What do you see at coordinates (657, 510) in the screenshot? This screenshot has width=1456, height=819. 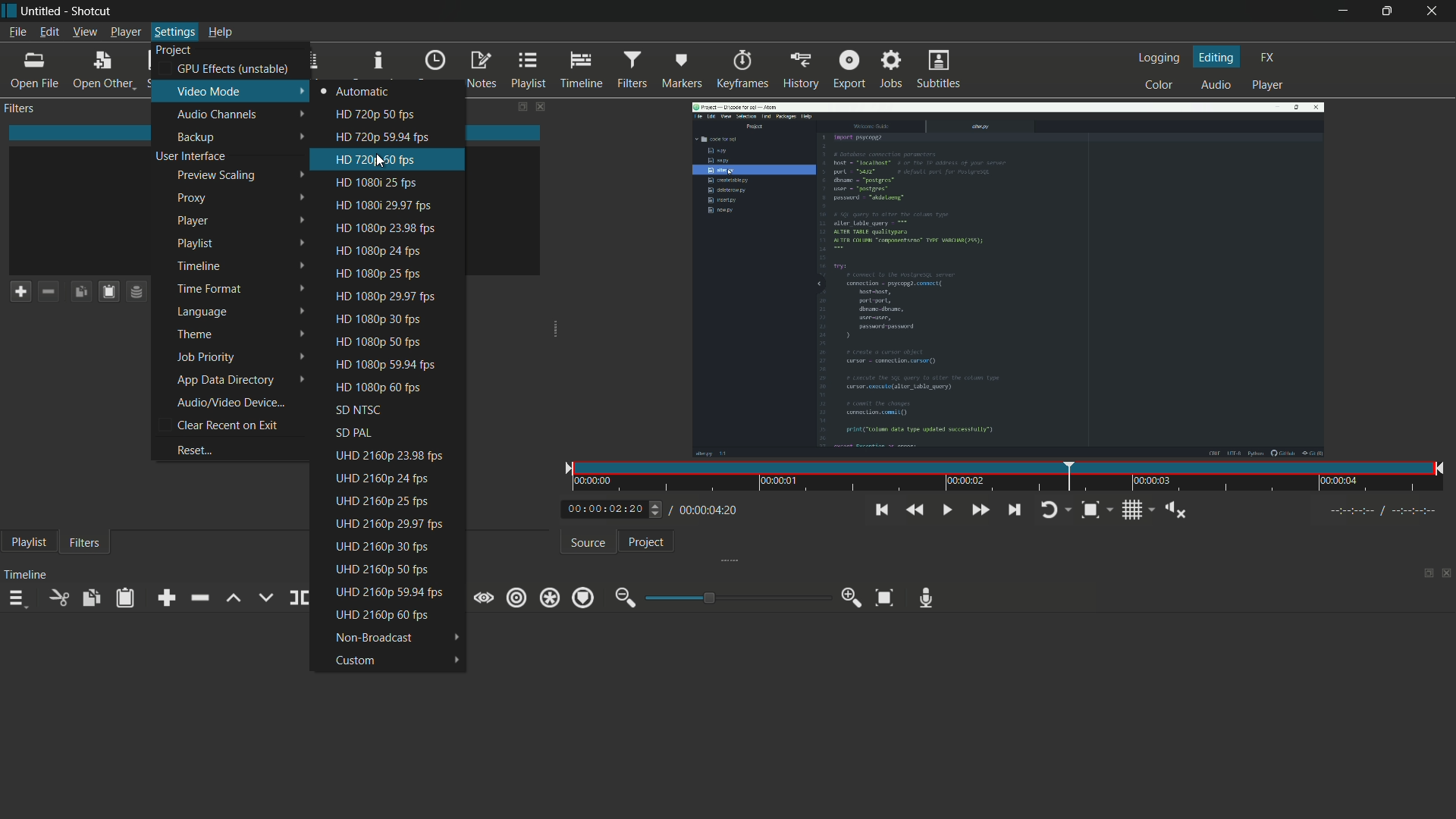 I see `` at bounding box center [657, 510].